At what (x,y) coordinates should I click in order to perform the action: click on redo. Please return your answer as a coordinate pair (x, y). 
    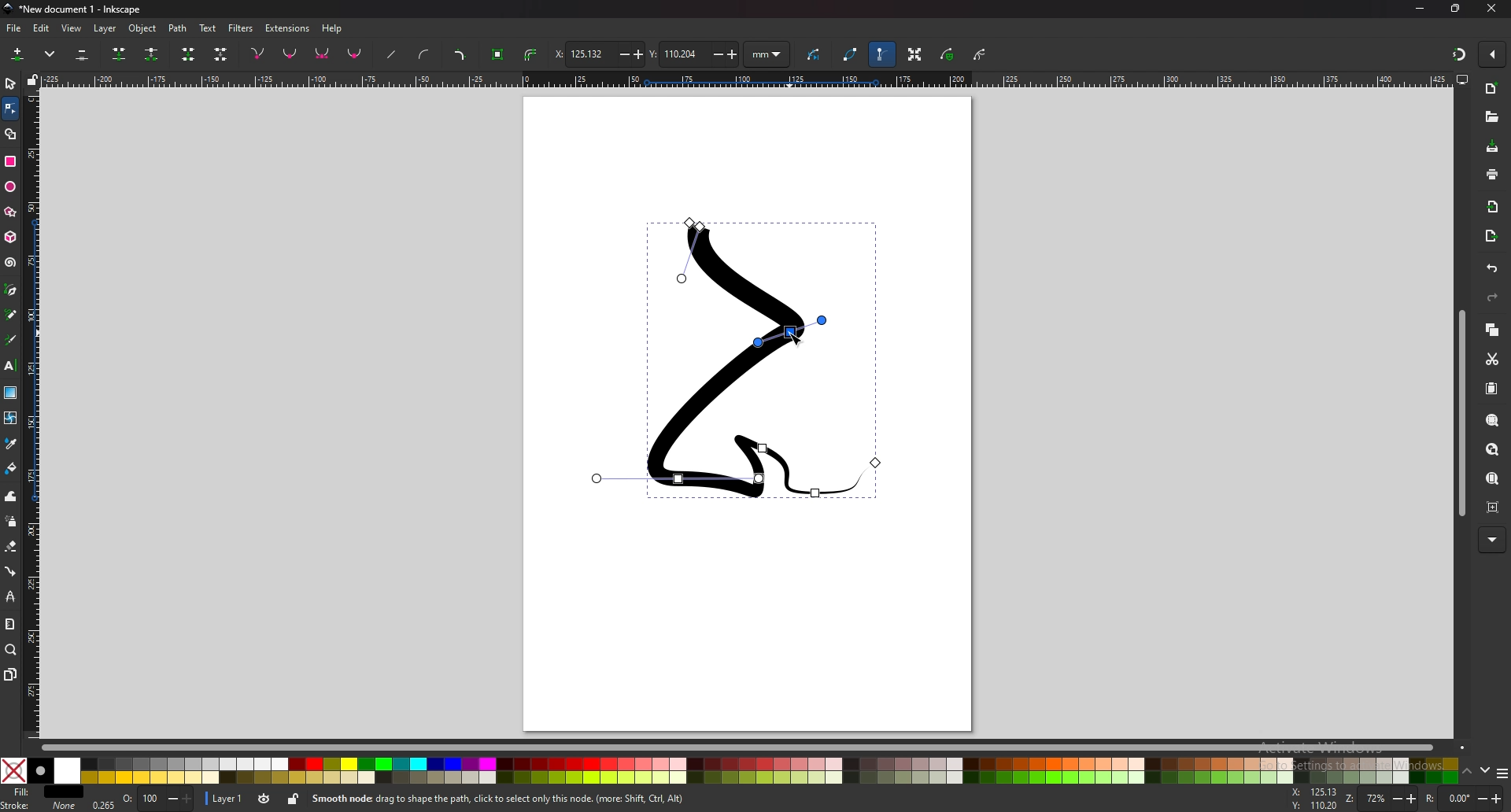
    Looking at the image, I should click on (1490, 299).